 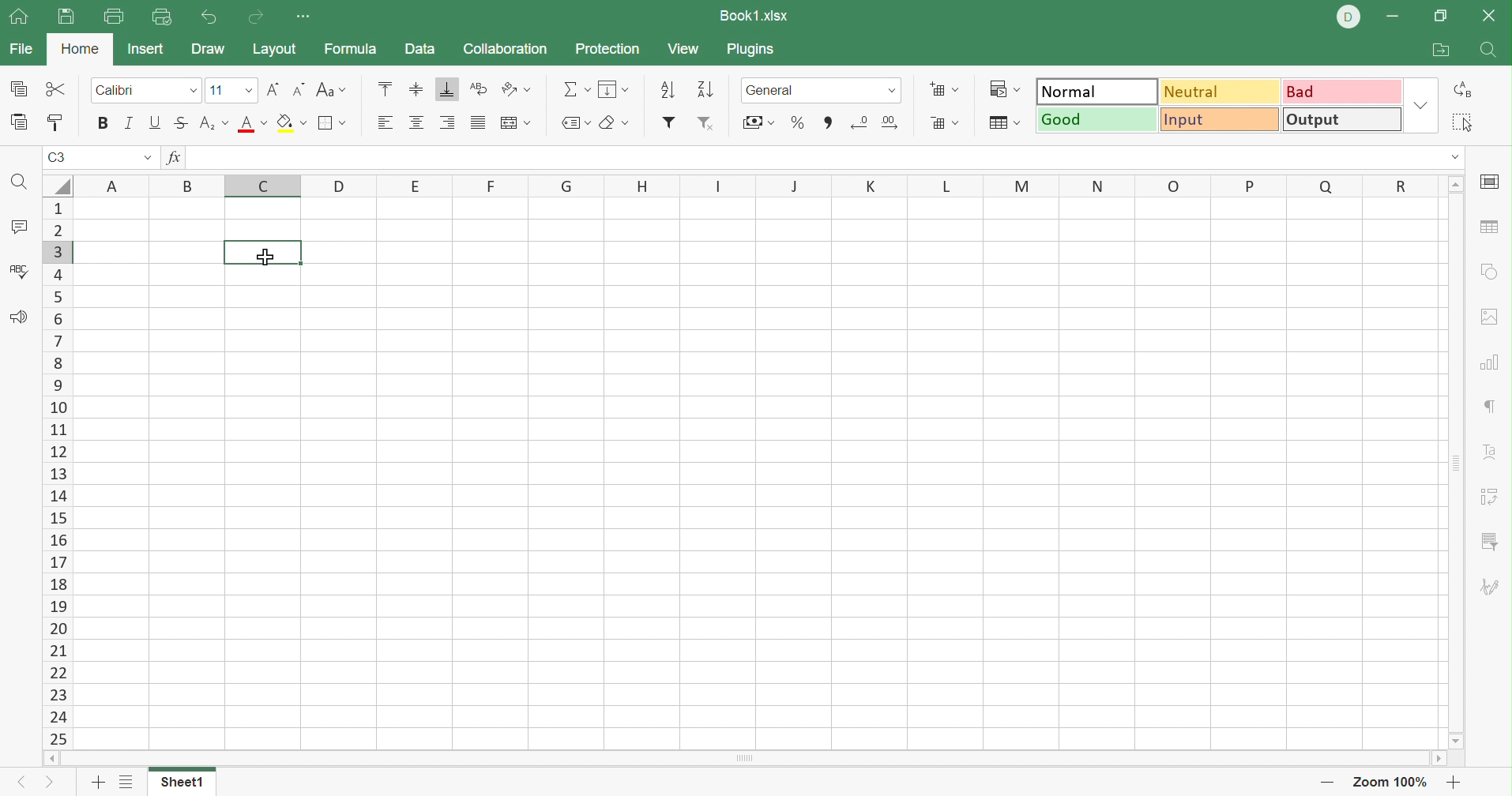 What do you see at coordinates (332, 125) in the screenshot?
I see `Borders` at bounding box center [332, 125].